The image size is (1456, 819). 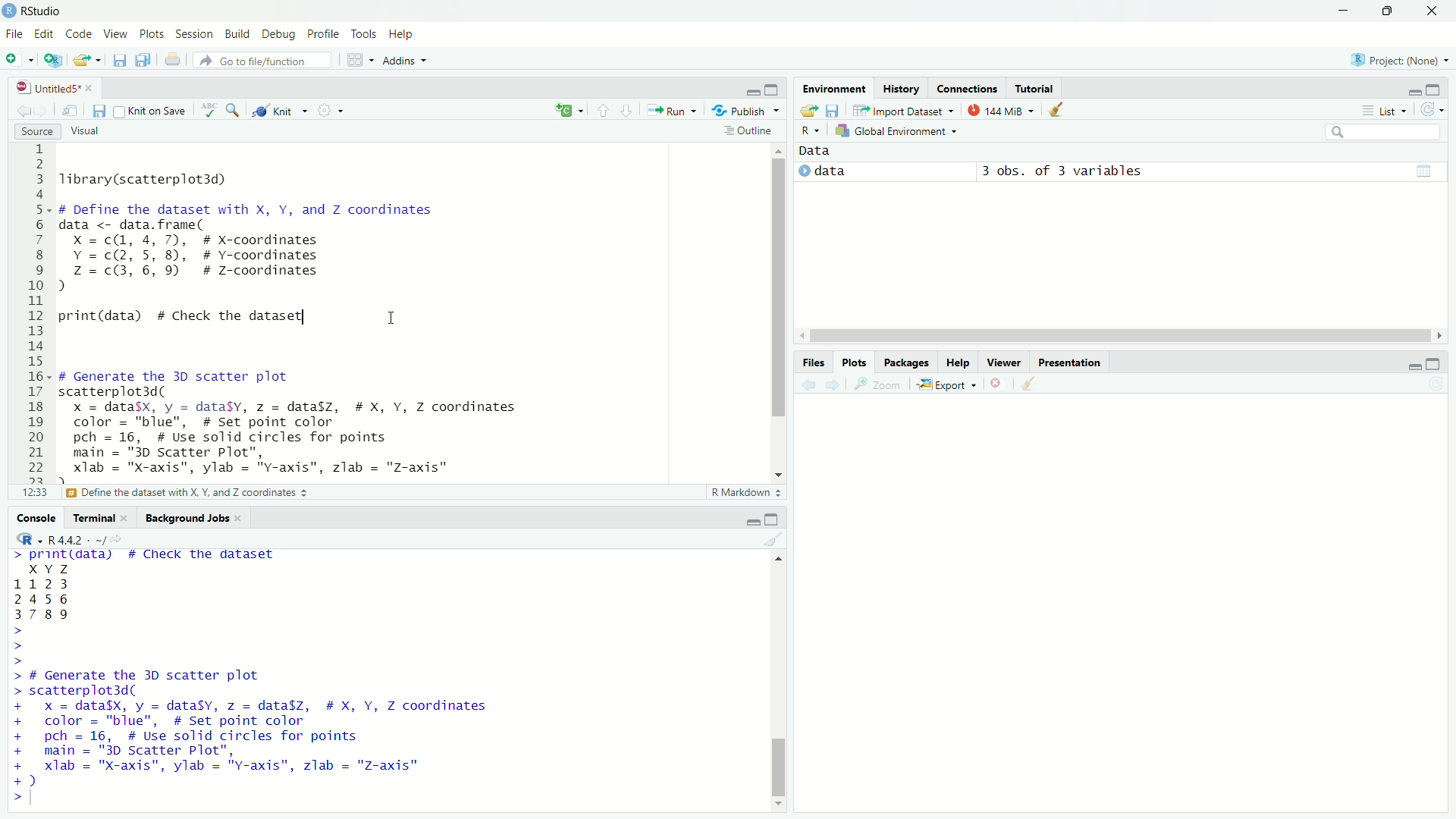 What do you see at coordinates (12, 35) in the screenshot?
I see `file` at bounding box center [12, 35].